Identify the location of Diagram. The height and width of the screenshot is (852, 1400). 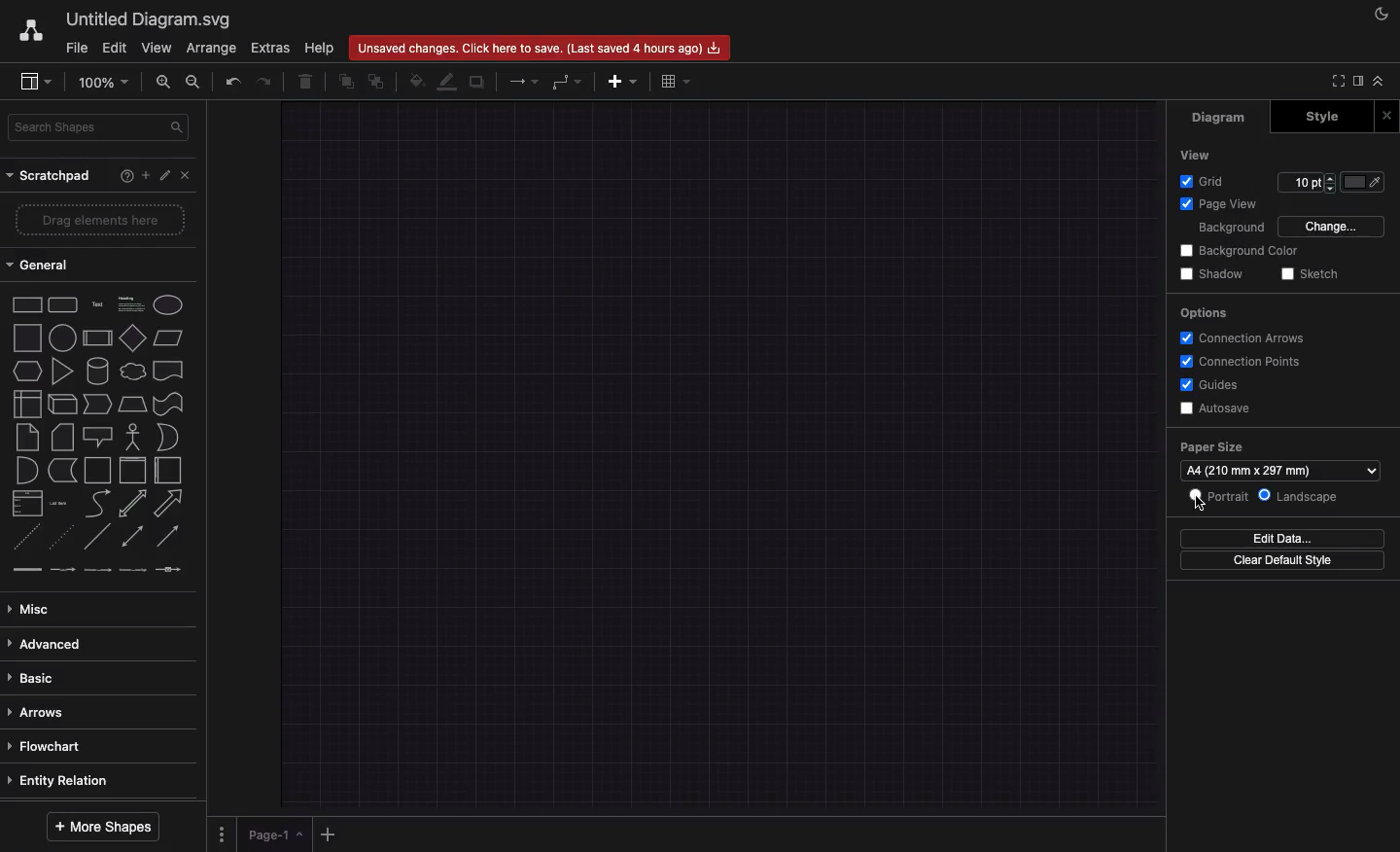
(1220, 117).